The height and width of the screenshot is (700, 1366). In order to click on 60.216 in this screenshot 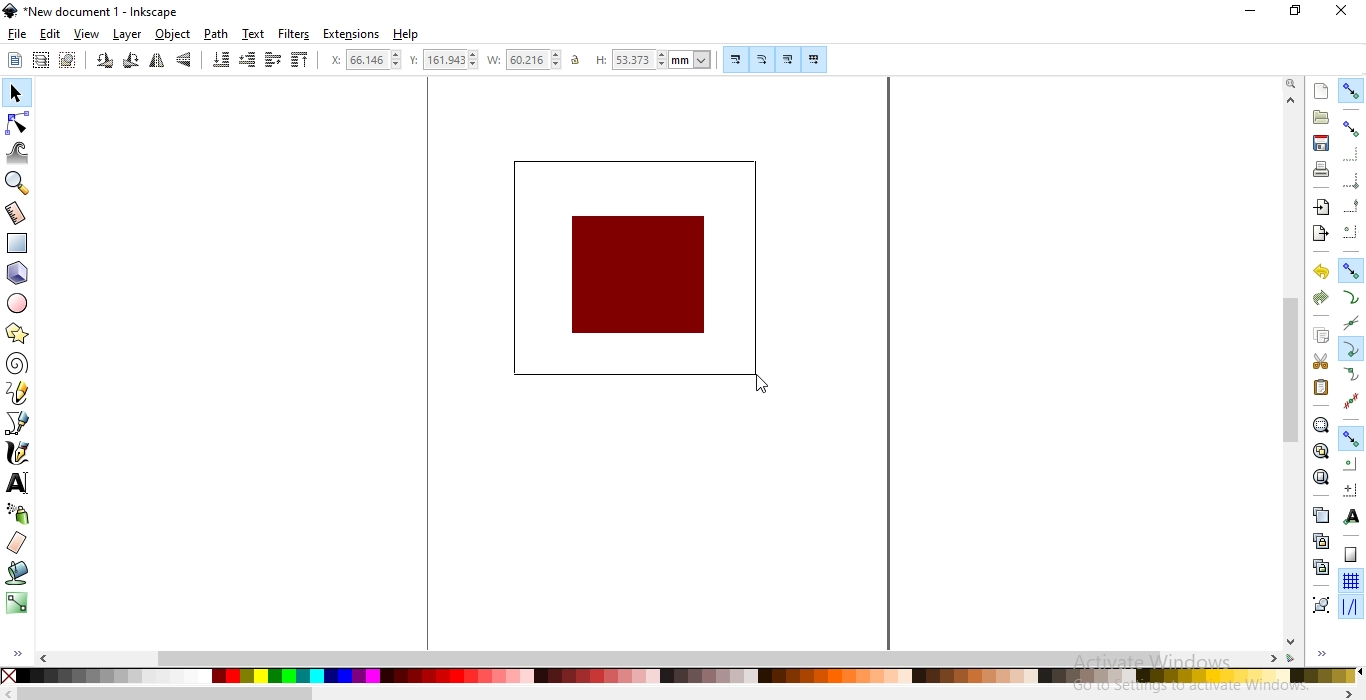, I will do `click(535, 60)`.